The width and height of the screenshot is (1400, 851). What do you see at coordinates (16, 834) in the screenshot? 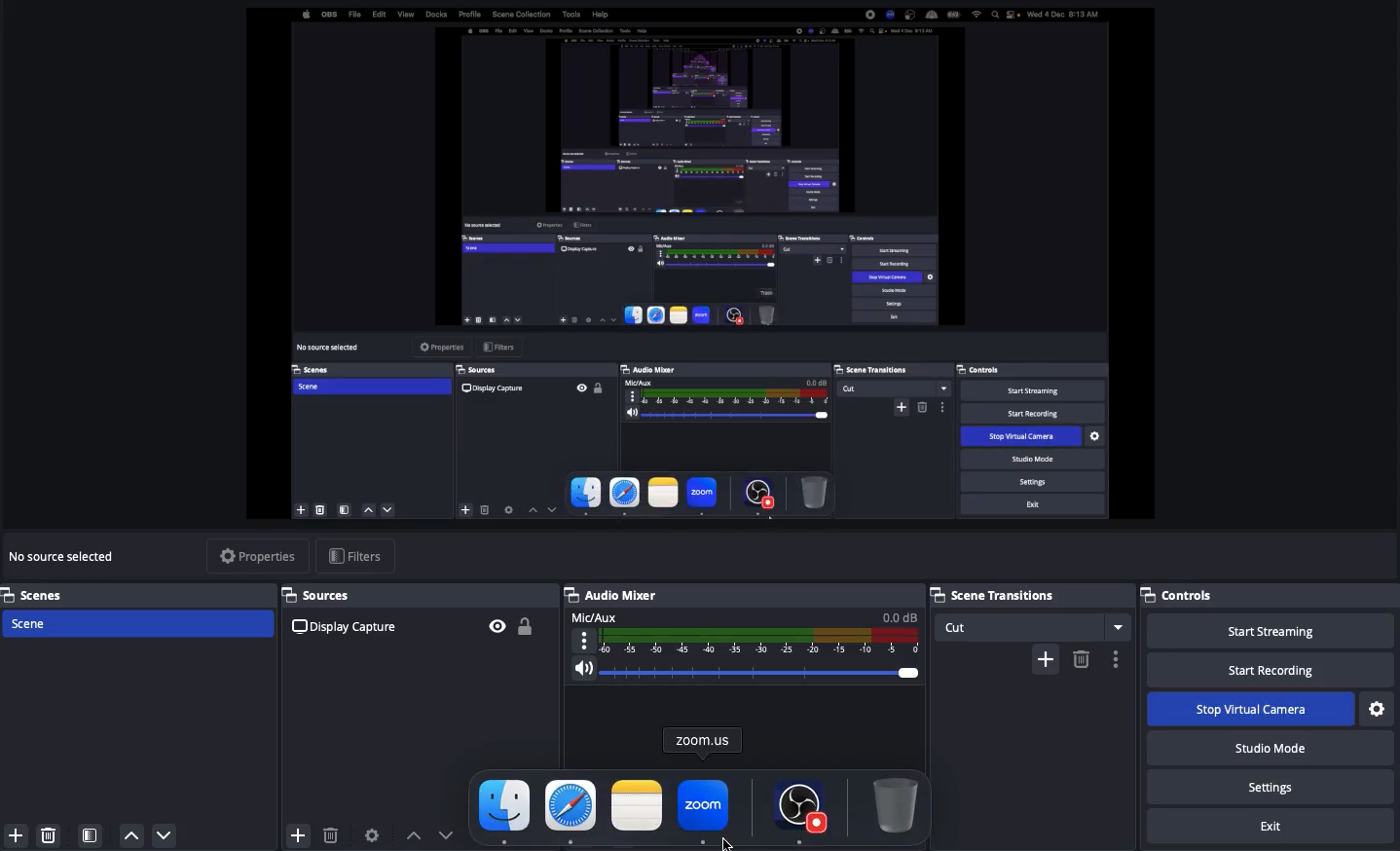
I see `Add` at bounding box center [16, 834].